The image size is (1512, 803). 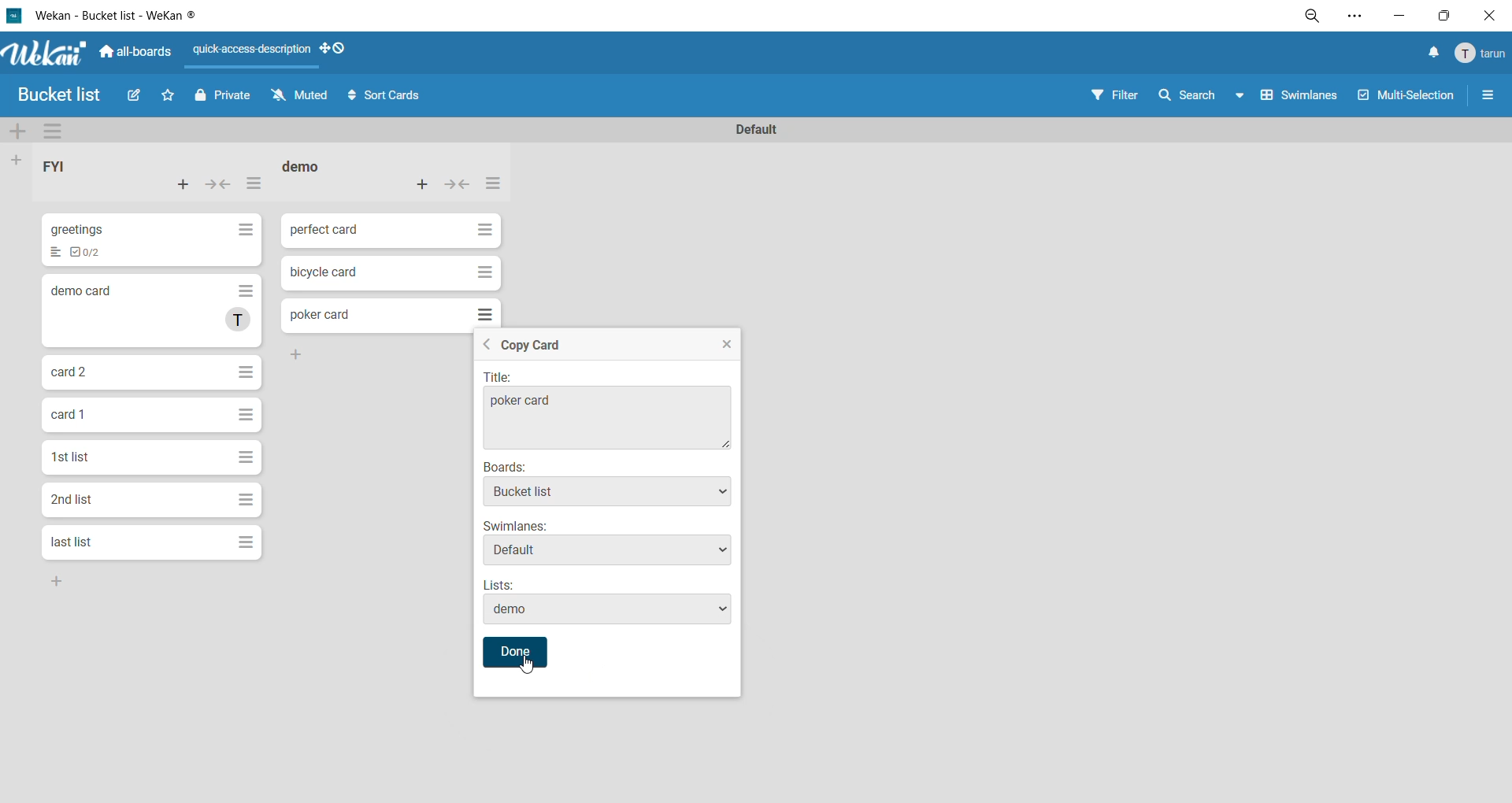 I want to click on Default, so click(x=606, y=552).